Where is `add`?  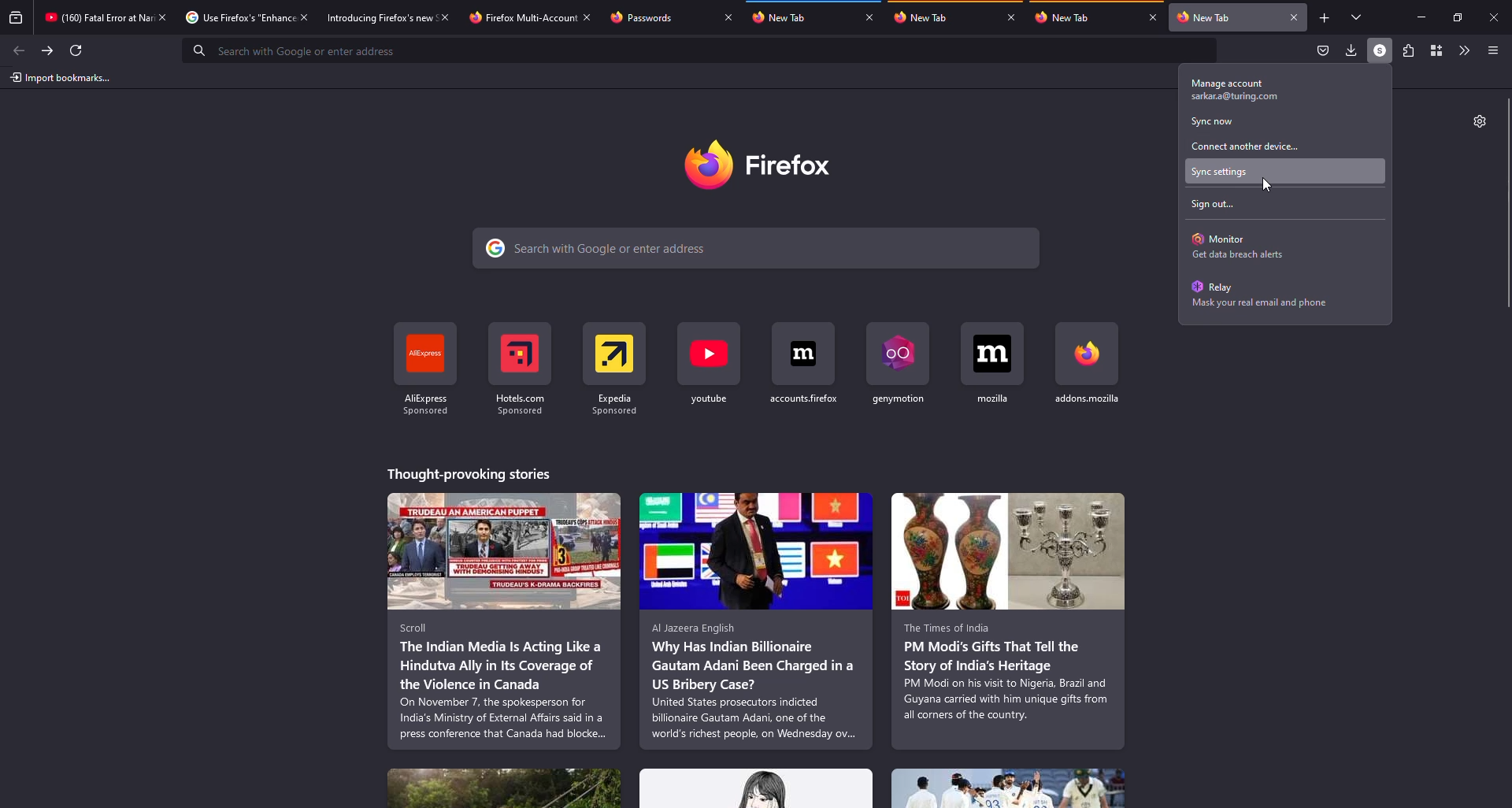 add is located at coordinates (1323, 18).